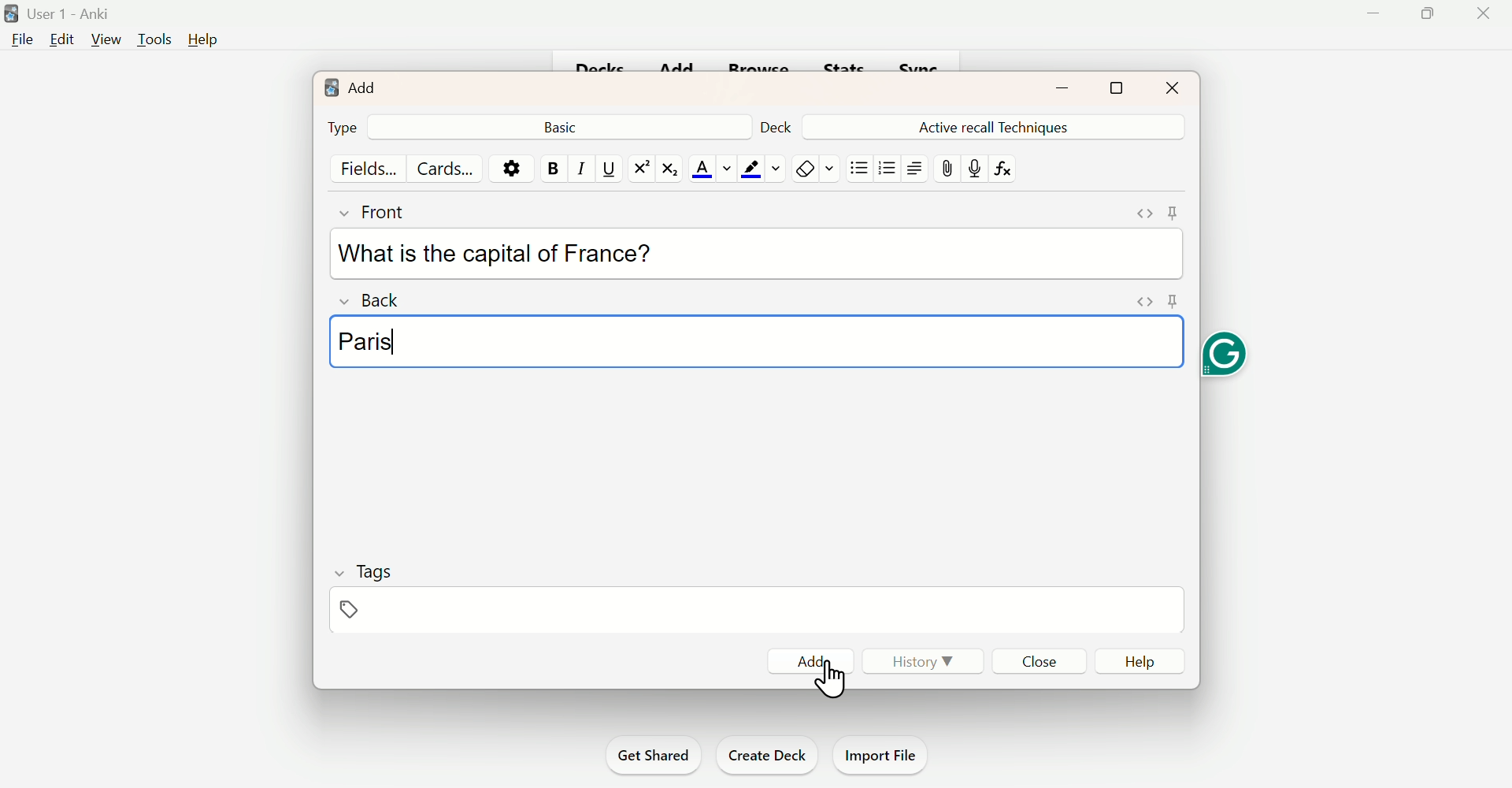  I want to click on Subscript, so click(669, 169).